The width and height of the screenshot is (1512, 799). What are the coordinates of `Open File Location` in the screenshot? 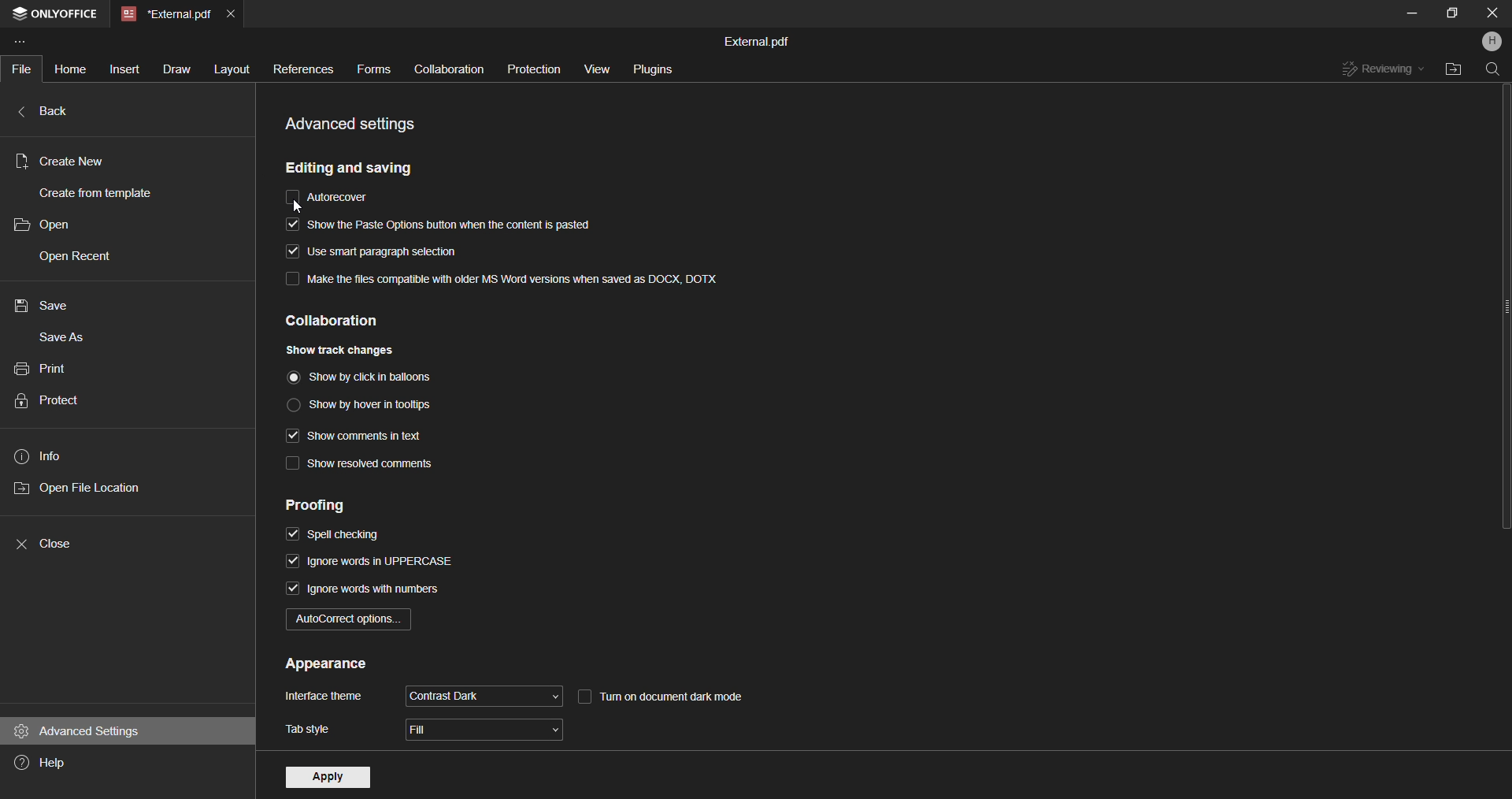 It's located at (1452, 70).